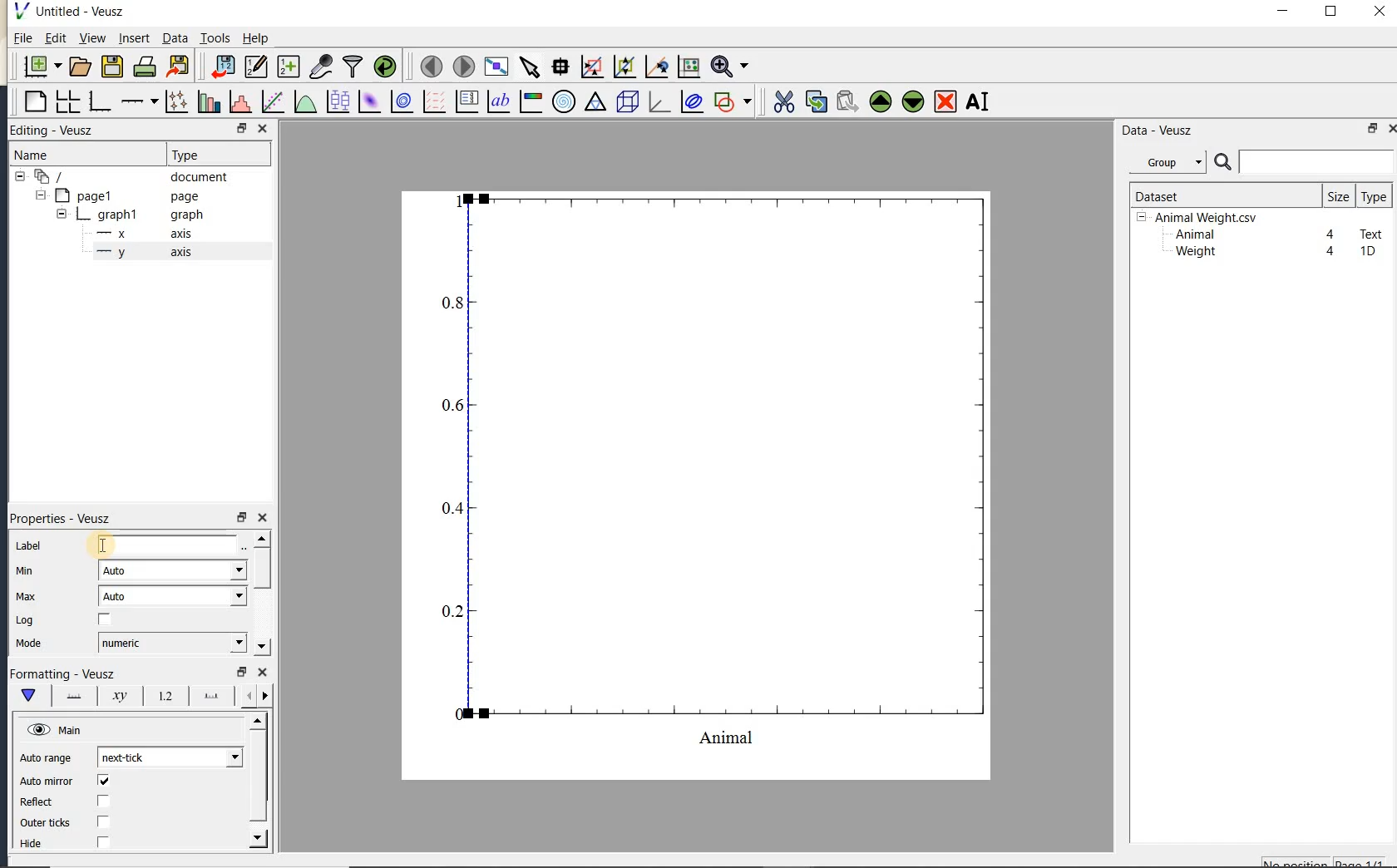  What do you see at coordinates (428, 65) in the screenshot?
I see `move to the previous page` at bounding box center [428, 65].